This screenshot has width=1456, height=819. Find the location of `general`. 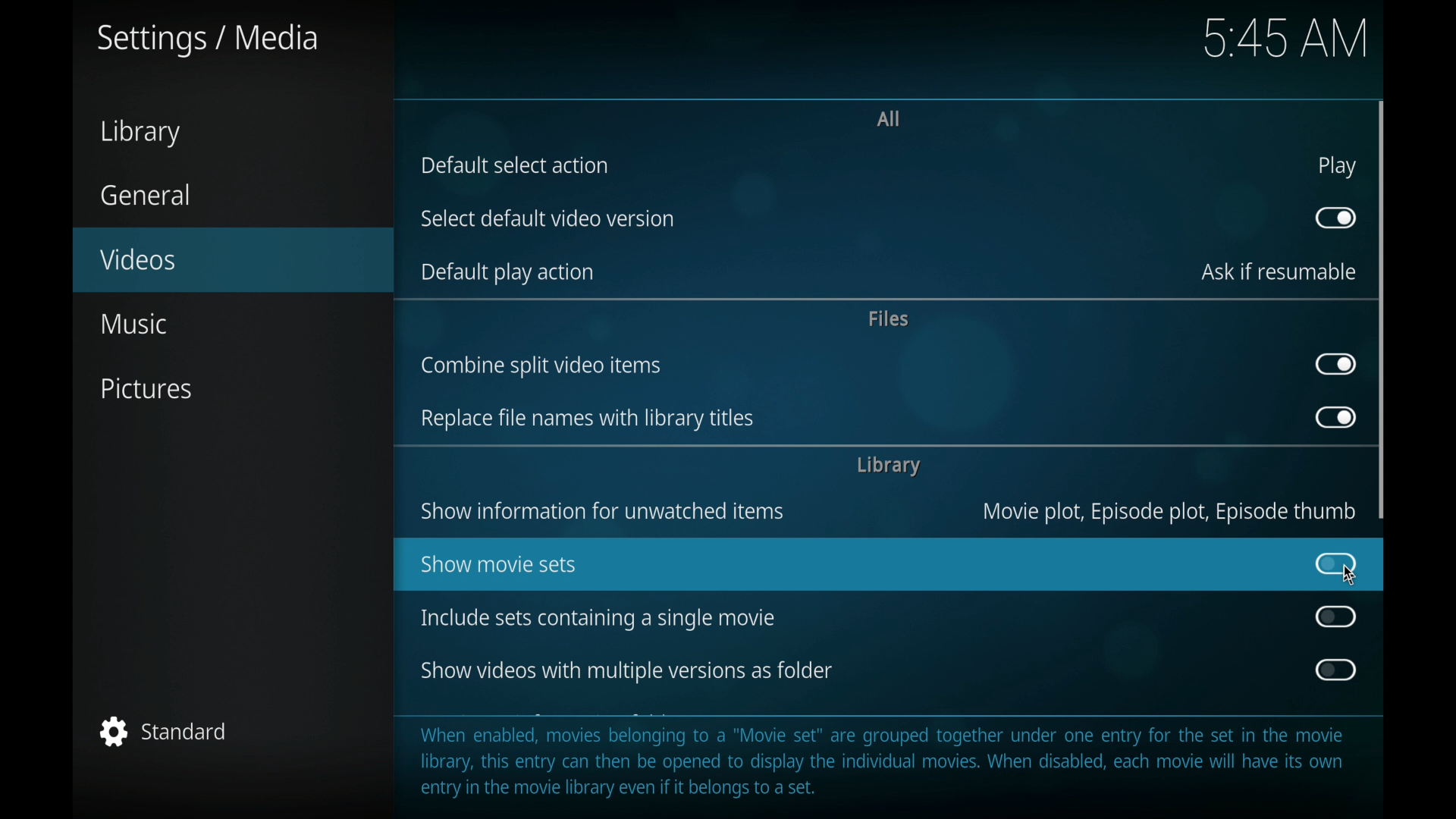

general is located at coordinates (146, 195).